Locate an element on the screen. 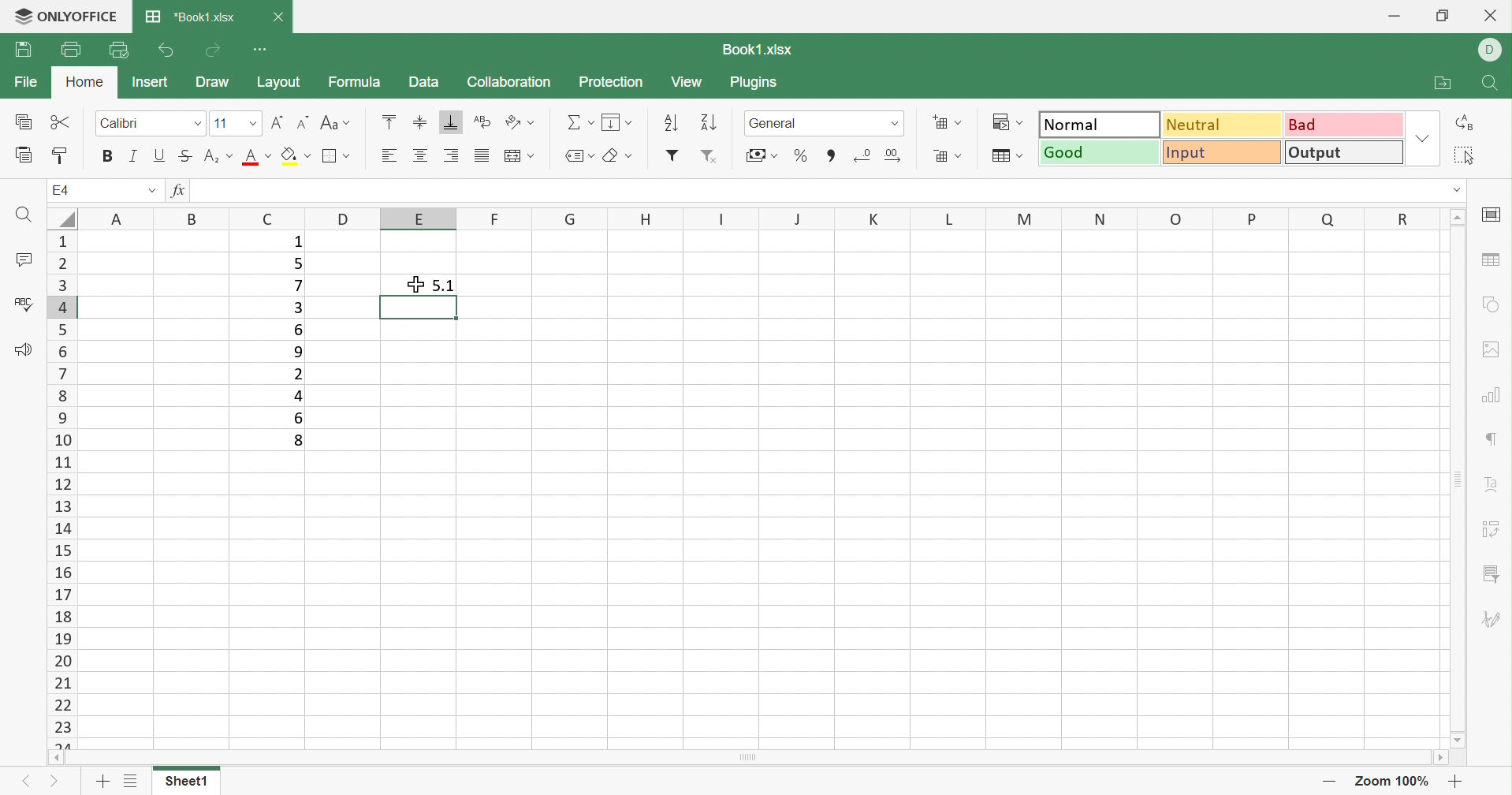  View is located at coordinates (687, 83).